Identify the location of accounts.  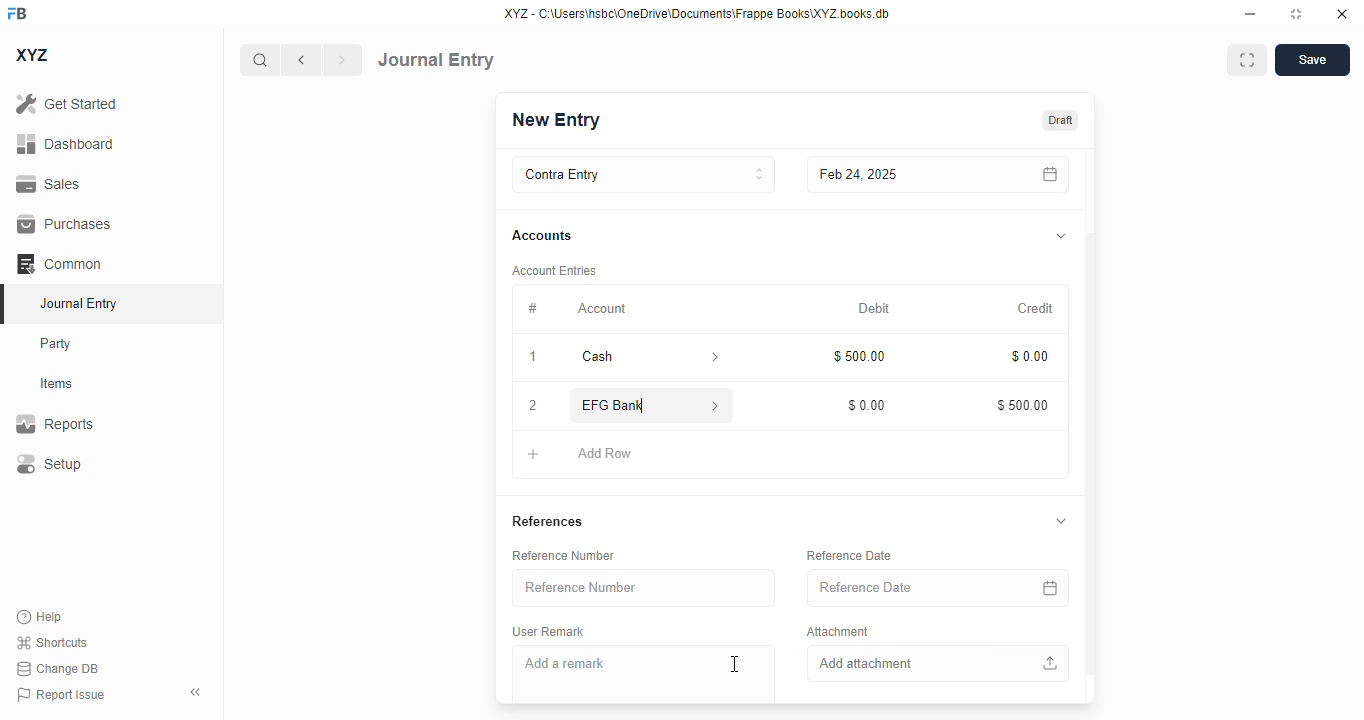
(542, 236).